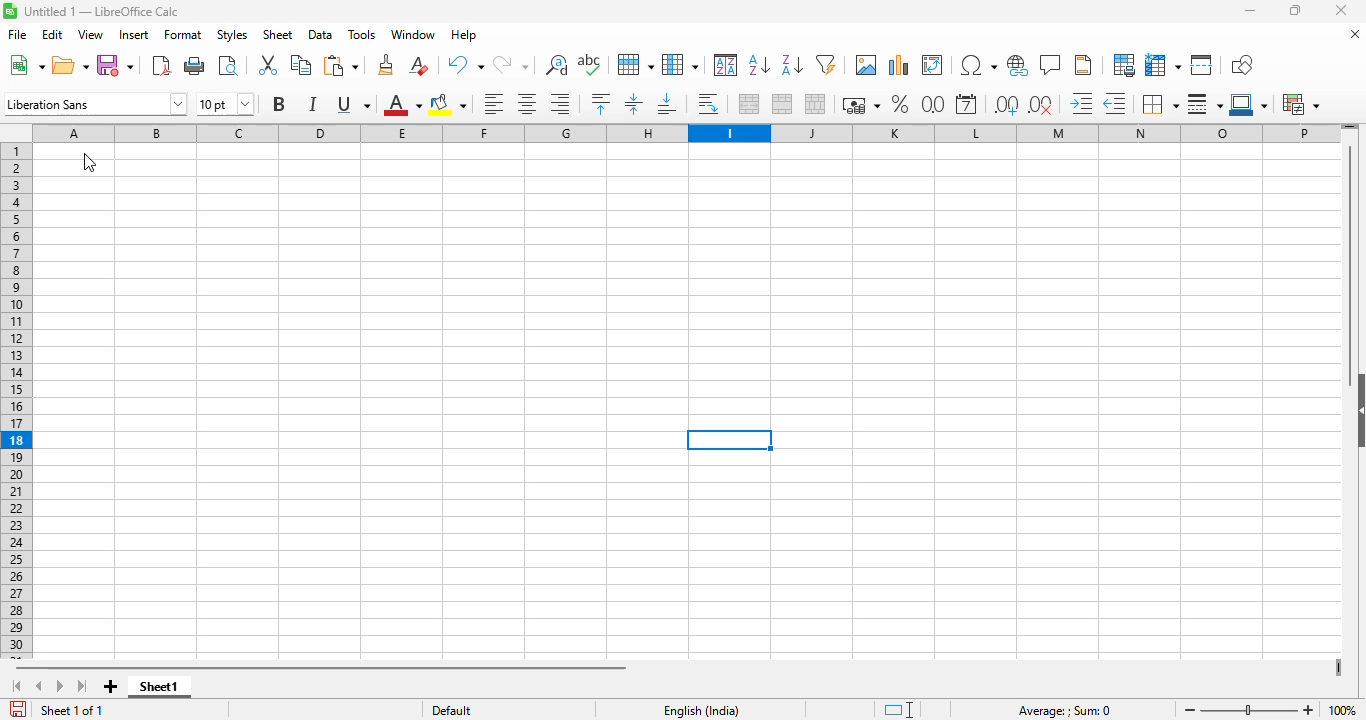 The width and height of the screenshot is (1366, 720). Describe the element at coordinates (73, 710) in the screenshot. I see `sheet 1 of 1` at that location.